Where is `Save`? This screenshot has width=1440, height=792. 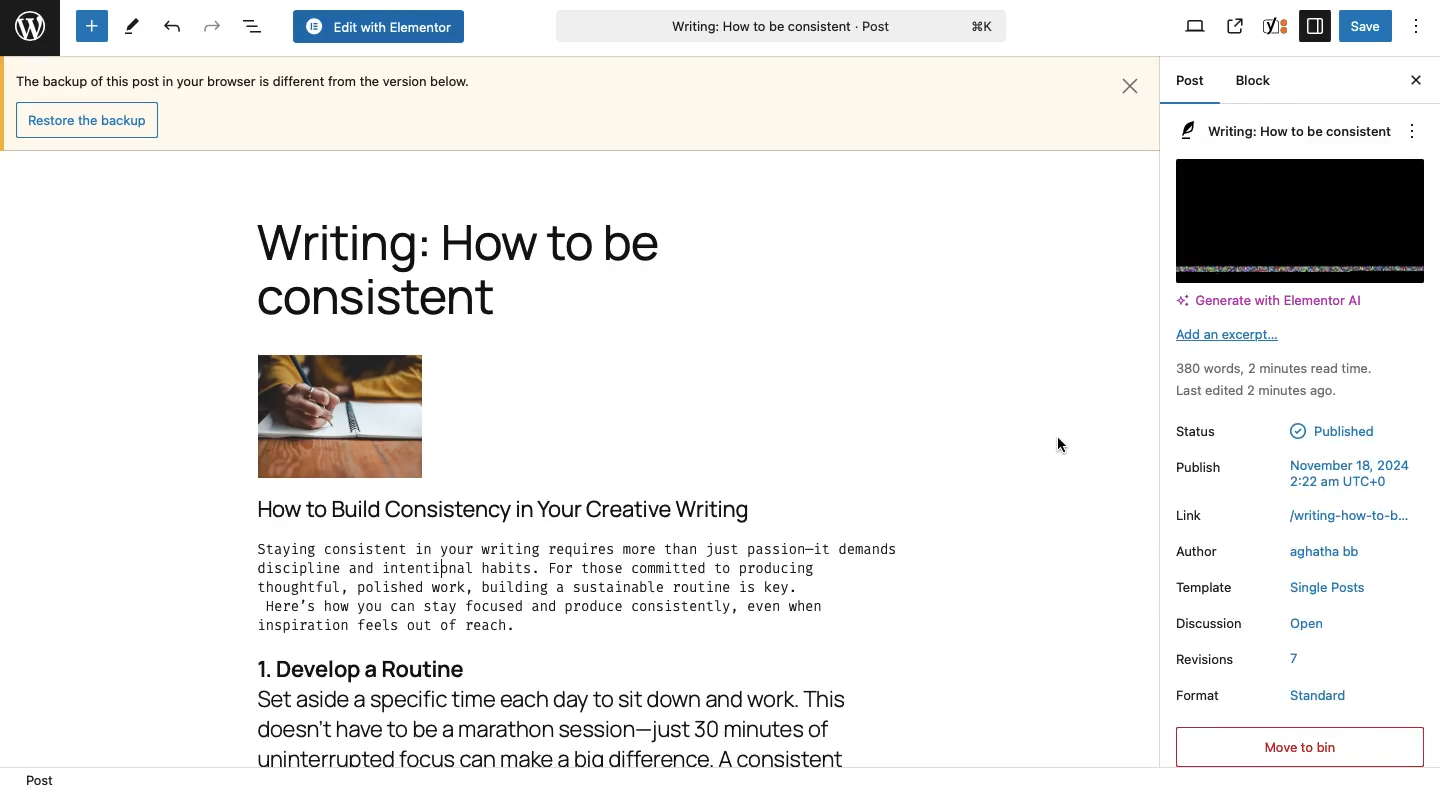 Save is located at coordinates (1365, 27).